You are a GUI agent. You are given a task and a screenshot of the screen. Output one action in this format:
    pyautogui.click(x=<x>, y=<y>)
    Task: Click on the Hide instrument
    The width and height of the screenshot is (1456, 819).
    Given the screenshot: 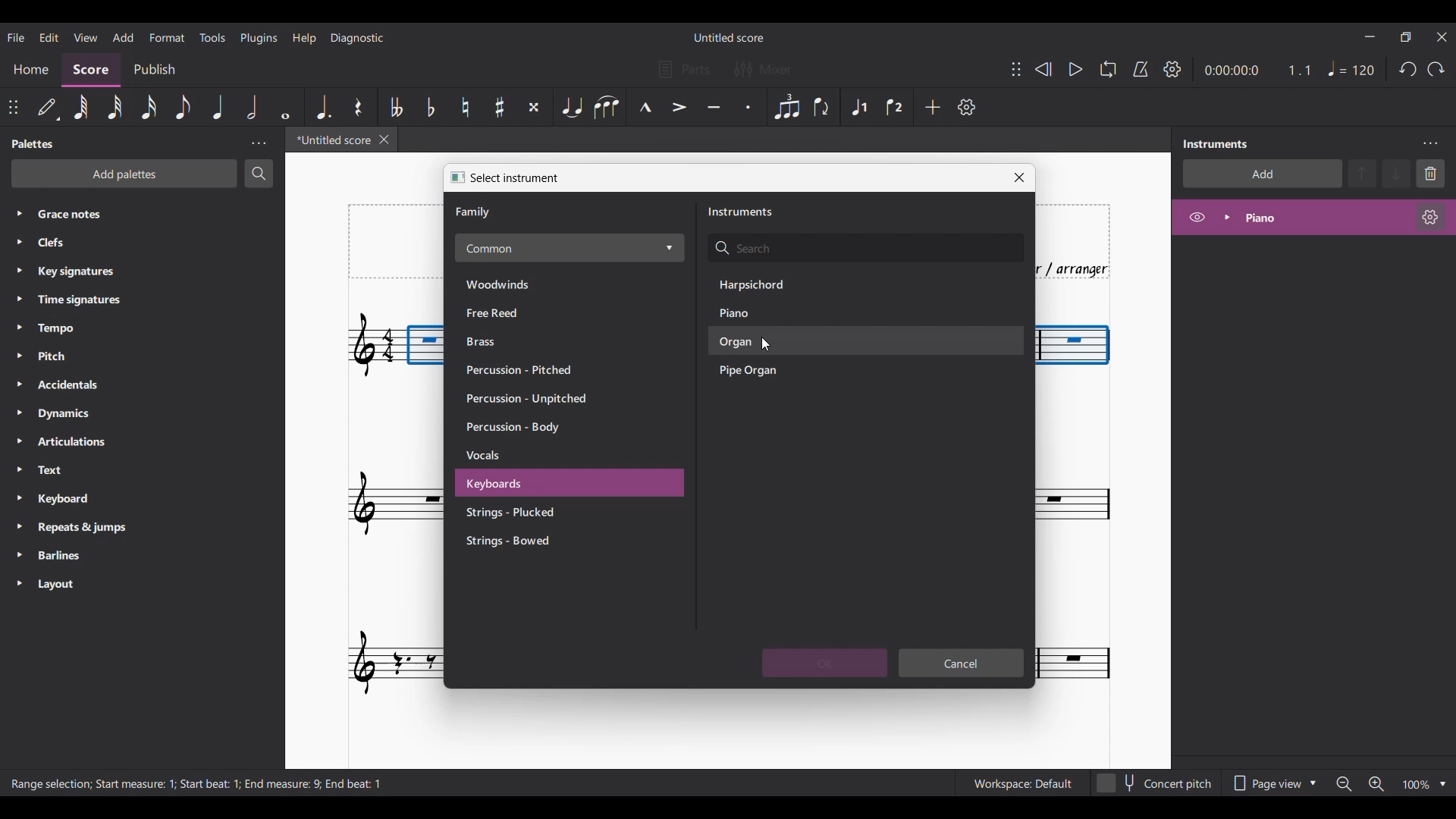 What is the action you would take?
    pyautogui.click(x=1197, y=217)
    